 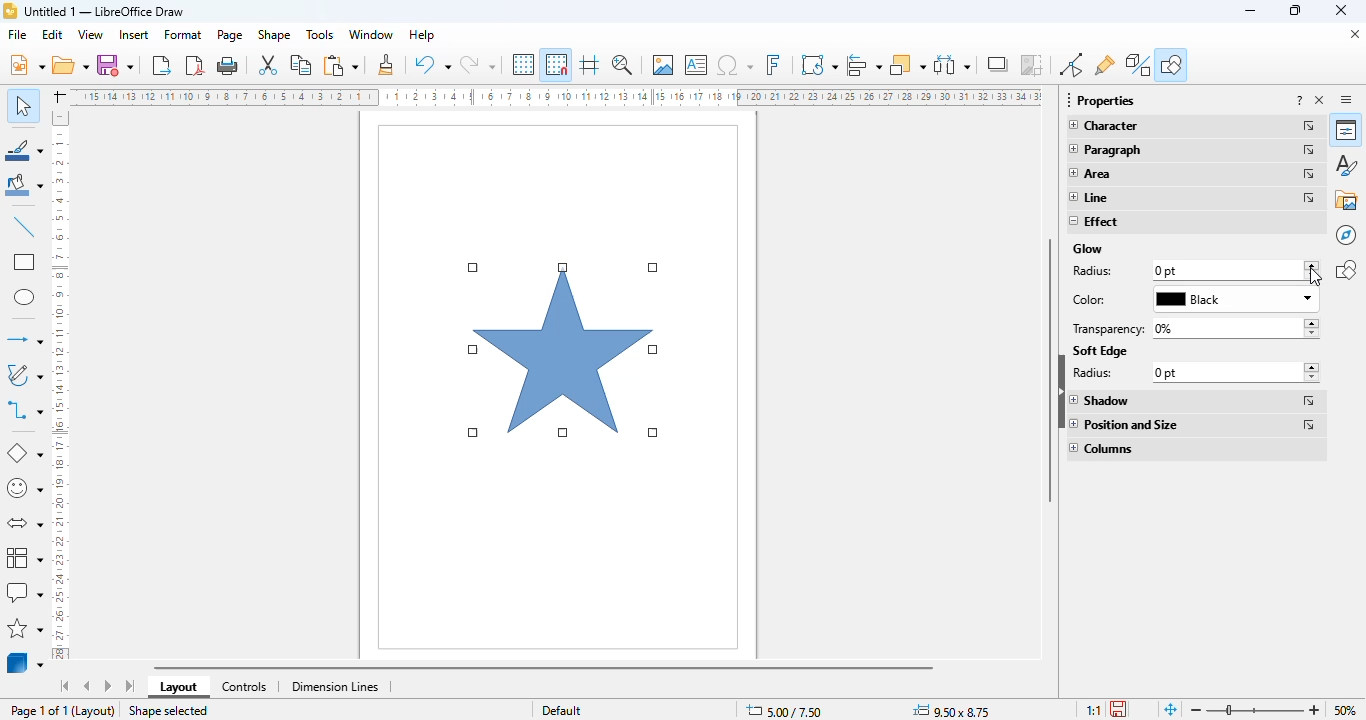 What do you see at coordinates (1310, 175) in the screenshot?
I see `more options` at bounding box center [1310, 175].